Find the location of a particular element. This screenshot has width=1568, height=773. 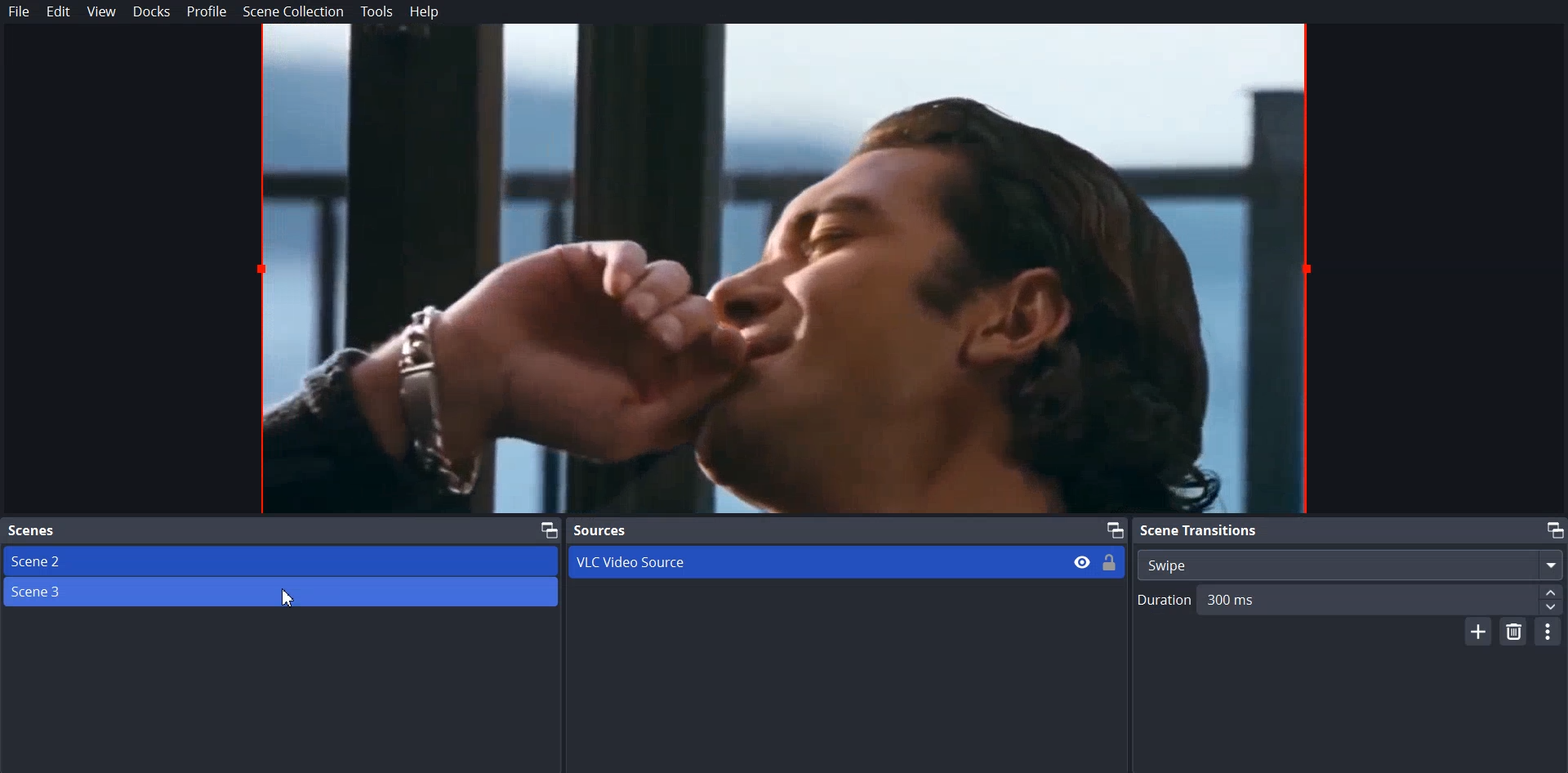

300 ms is located at coordinates (1379, 597).